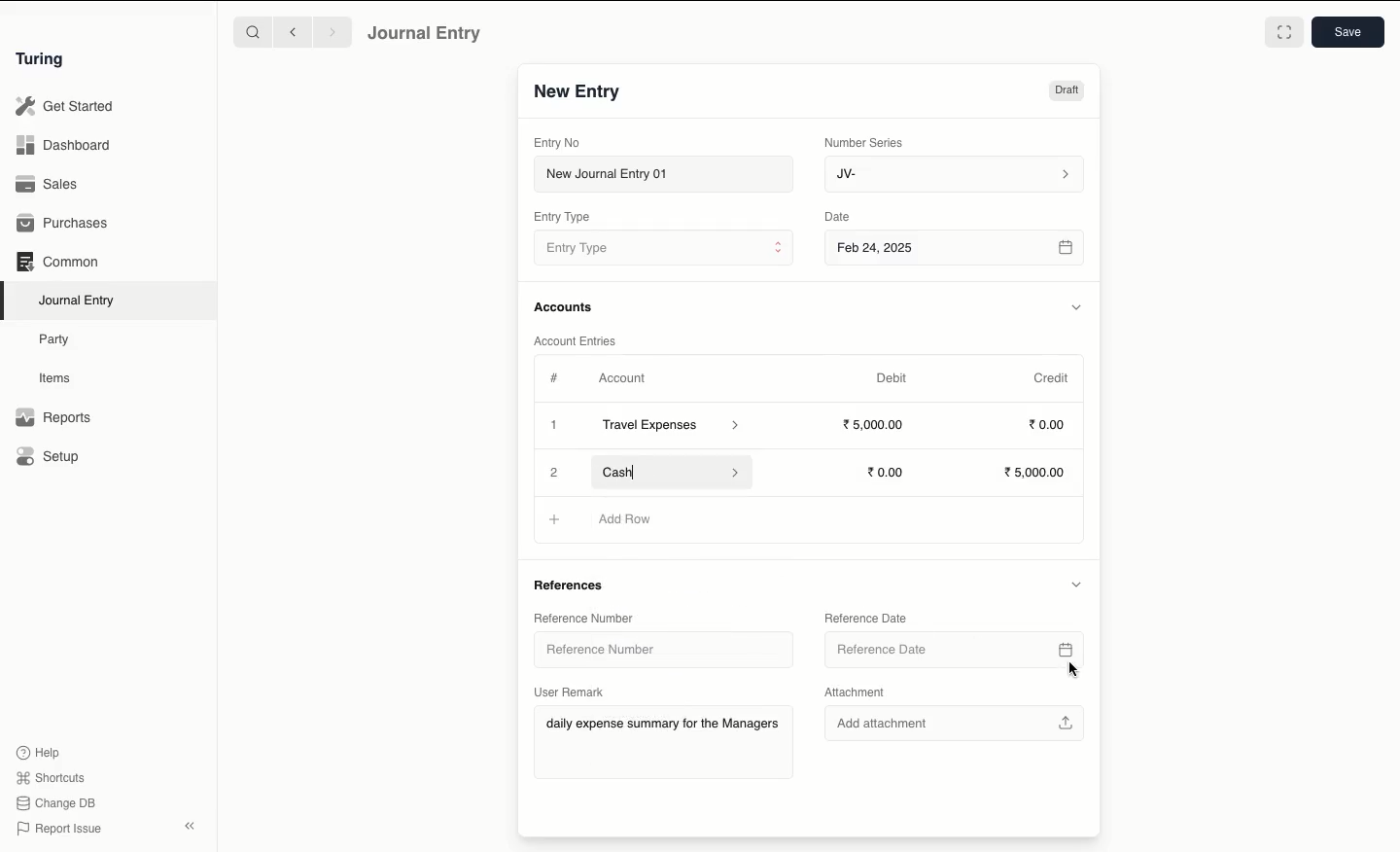 This screenshot has width=1400, height=852. I want to click on daily expense summary for the Managers, so click(663, 727).